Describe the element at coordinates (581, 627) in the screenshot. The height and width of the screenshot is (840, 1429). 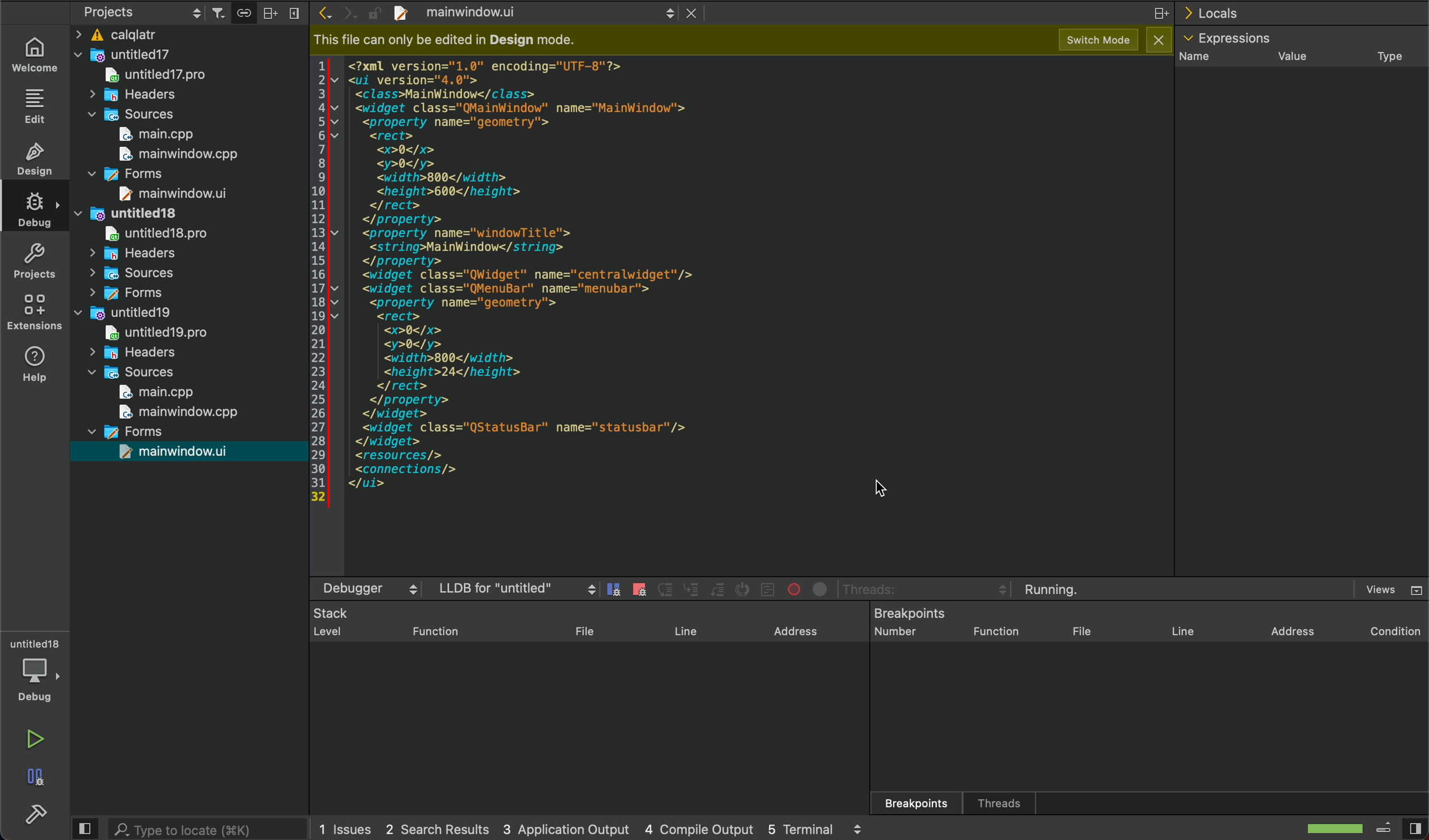
I see `File` at that location.